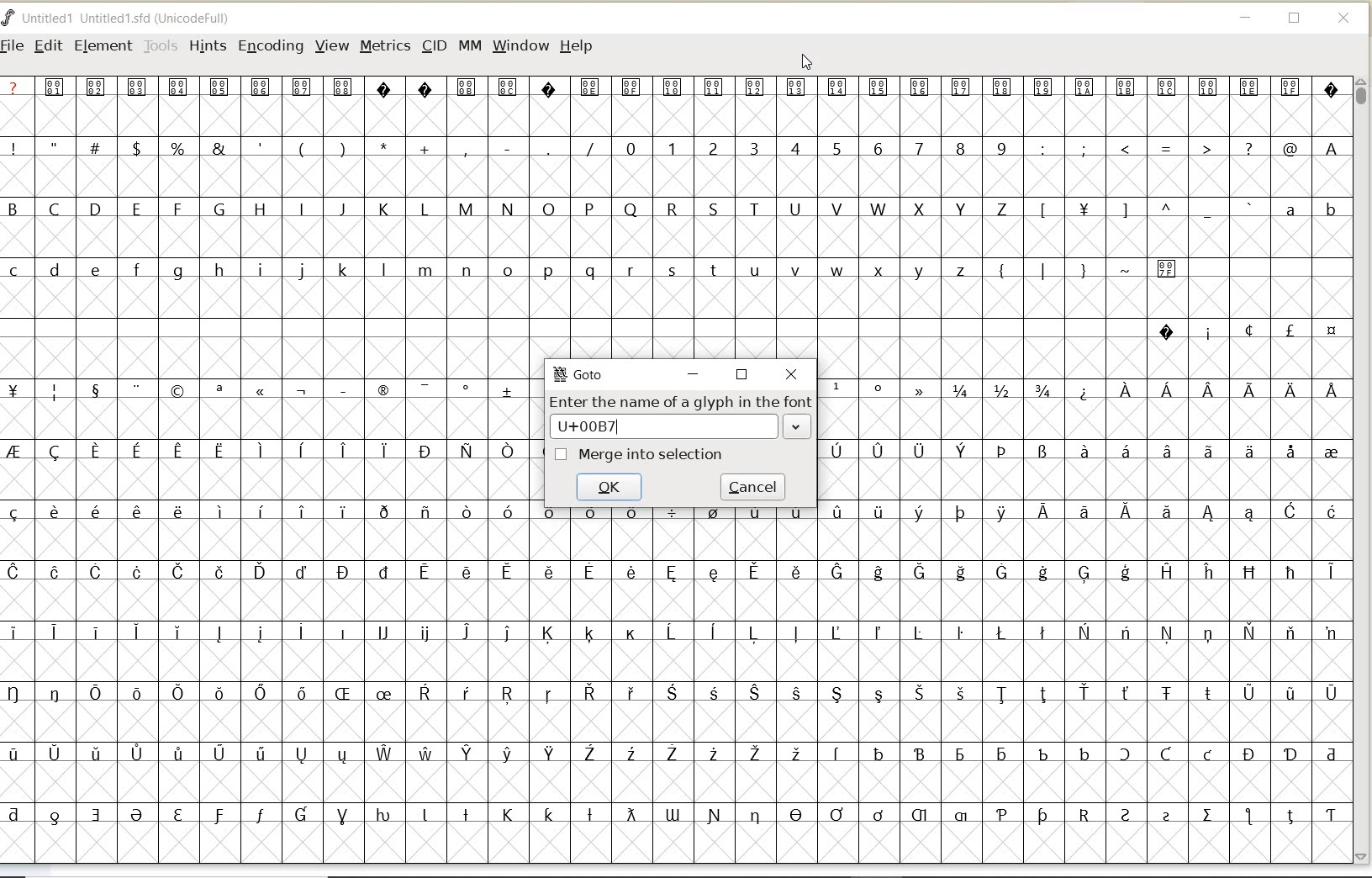  What do you see at coordinates (638, 456) in the screenshot?
I see `merge into selection` at bounding box center [638, 456].